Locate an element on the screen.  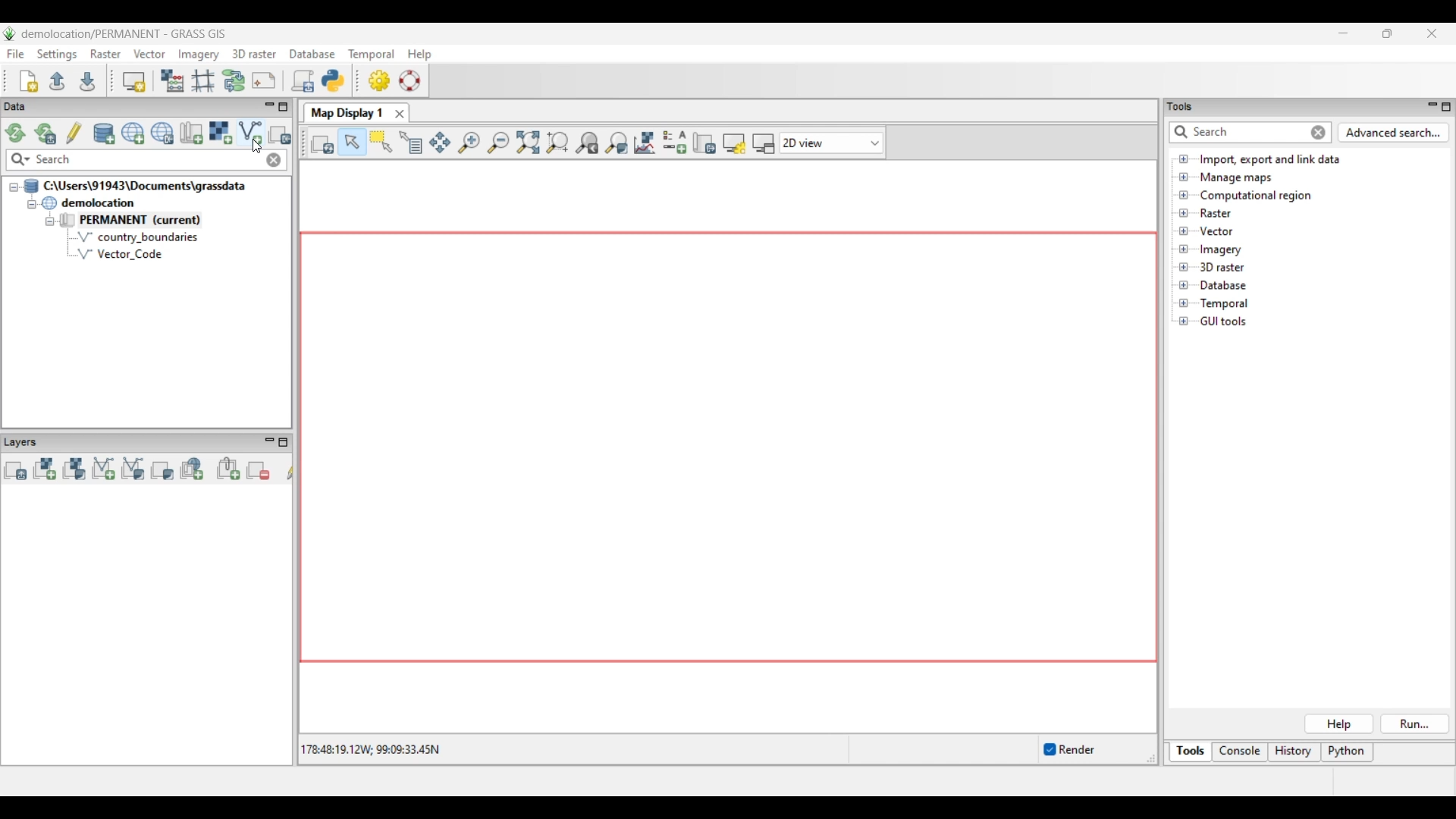
History is located at coordinates (1294, 752).